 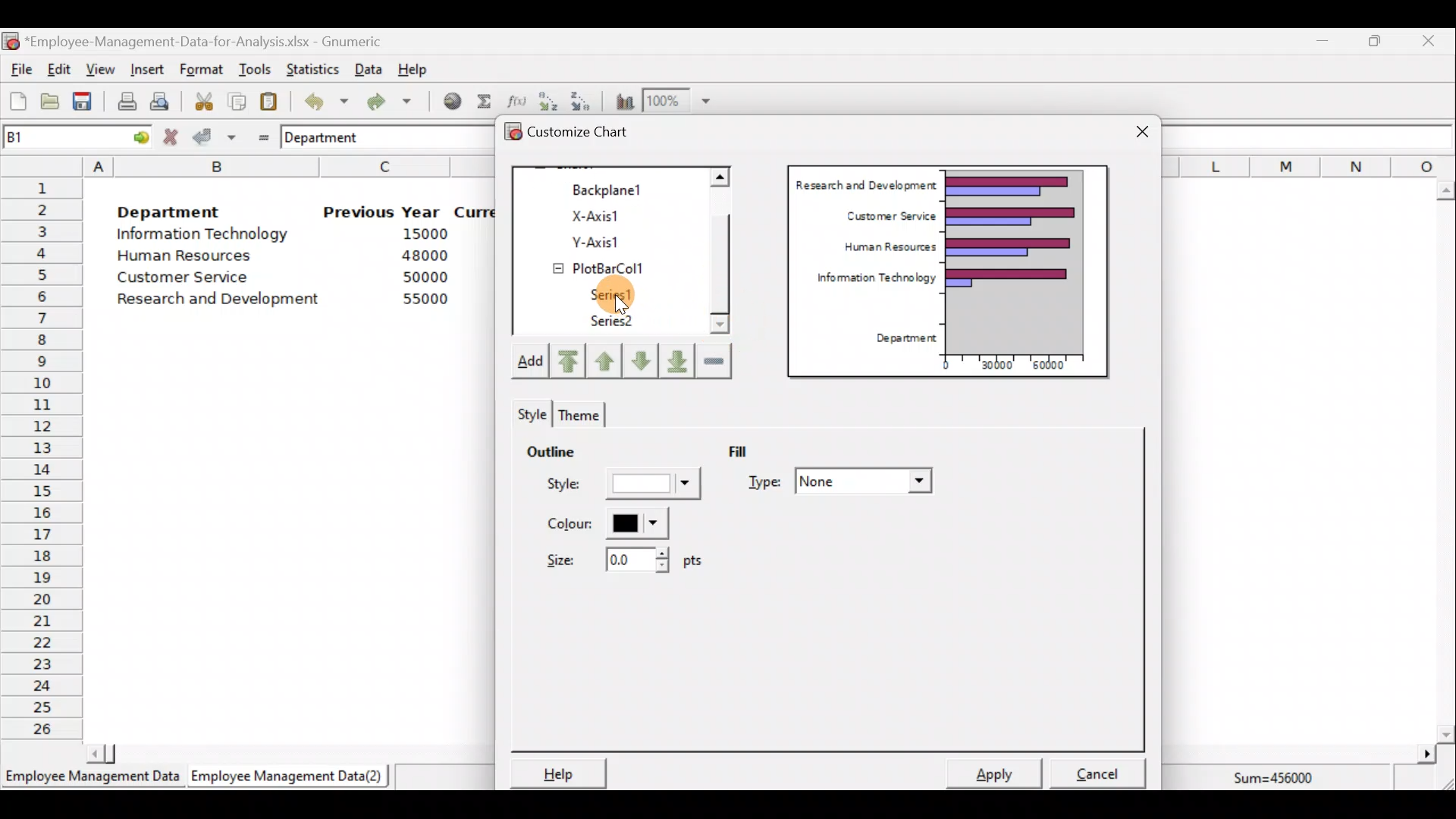 What do you see at coordinates (254, 71) in the screenshot?
I see `Tools` at bounding box center [254, 71].